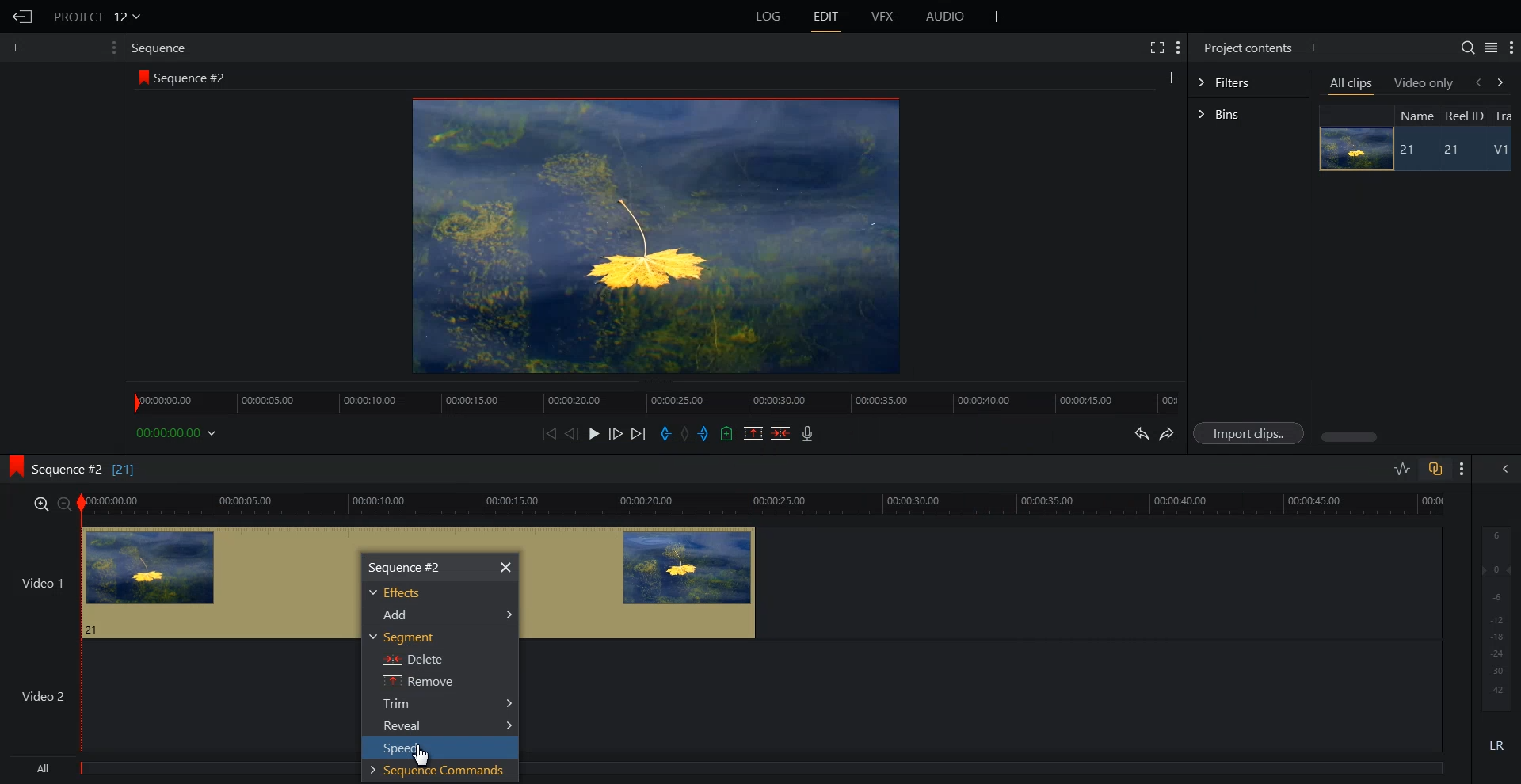 The height and width of the screenshot is (784, 1521). What do you see at coordinates (1458, 150) in the screenshot?
I see `21` at bounding box center [1458, 150].